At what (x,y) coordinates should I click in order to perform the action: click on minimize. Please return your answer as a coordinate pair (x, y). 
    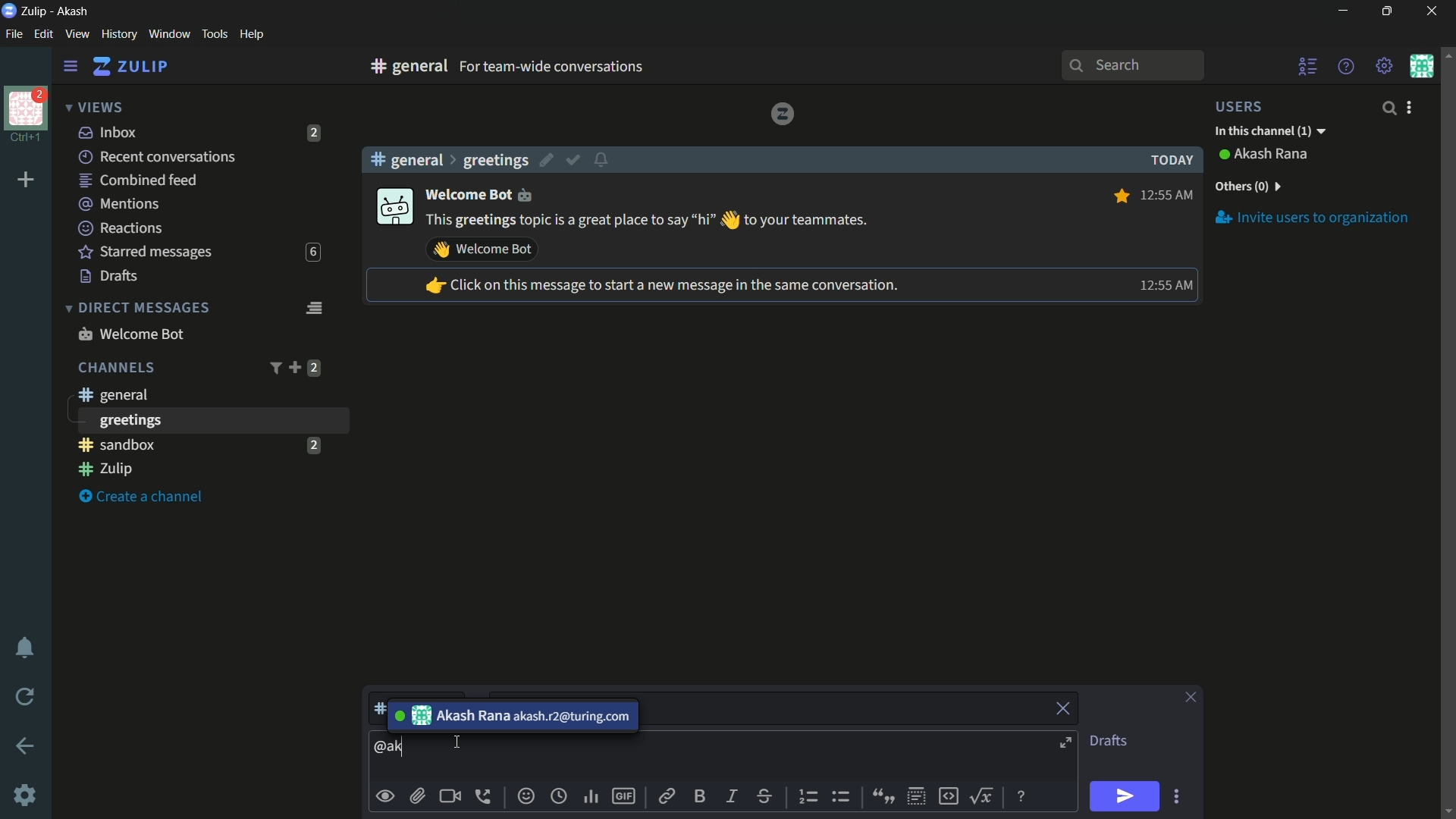
    Looking at the image, I should click on (1342, 11).